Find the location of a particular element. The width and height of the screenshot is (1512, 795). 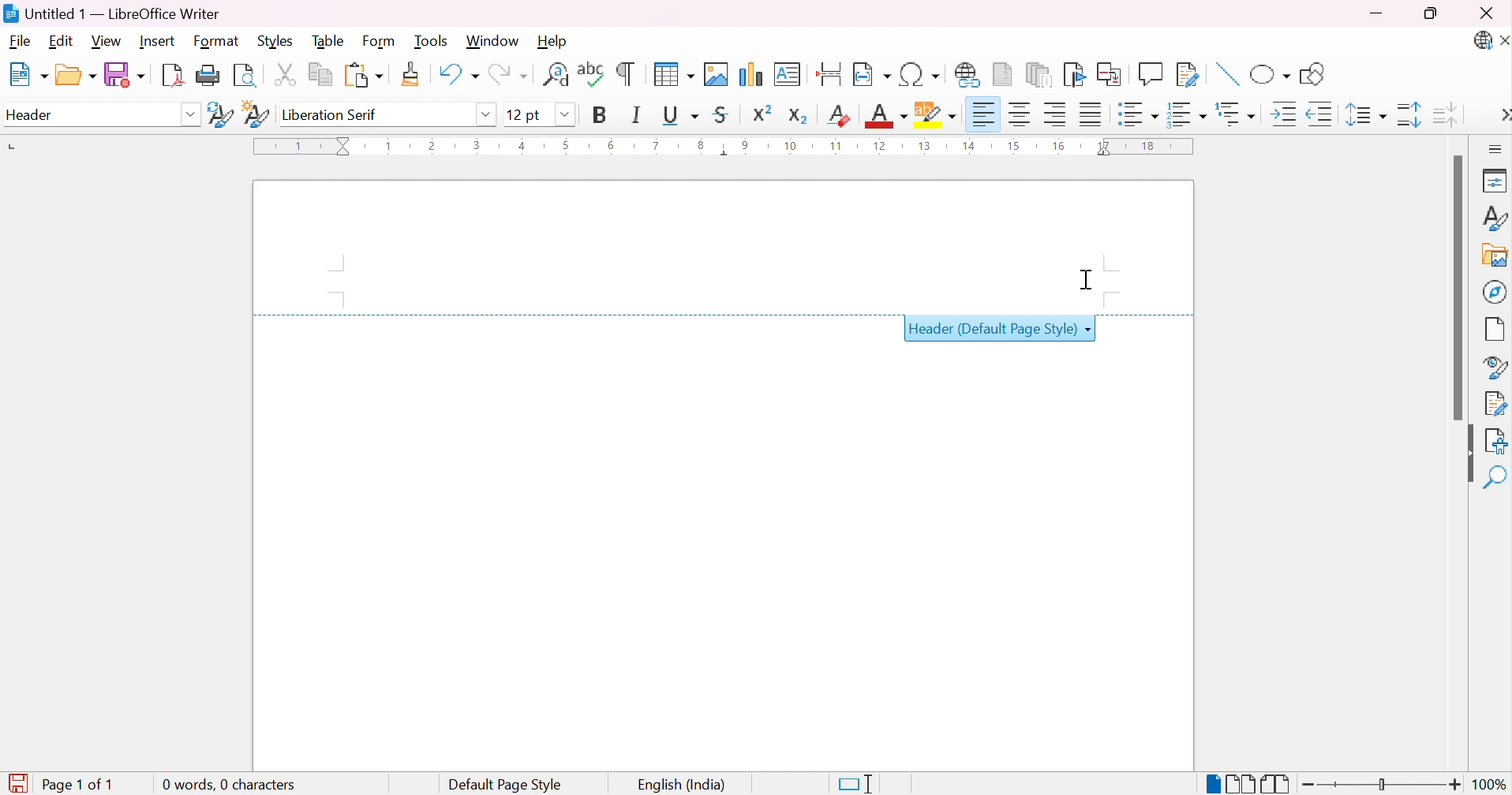

Cursor is located at coordinates (1087, 277).